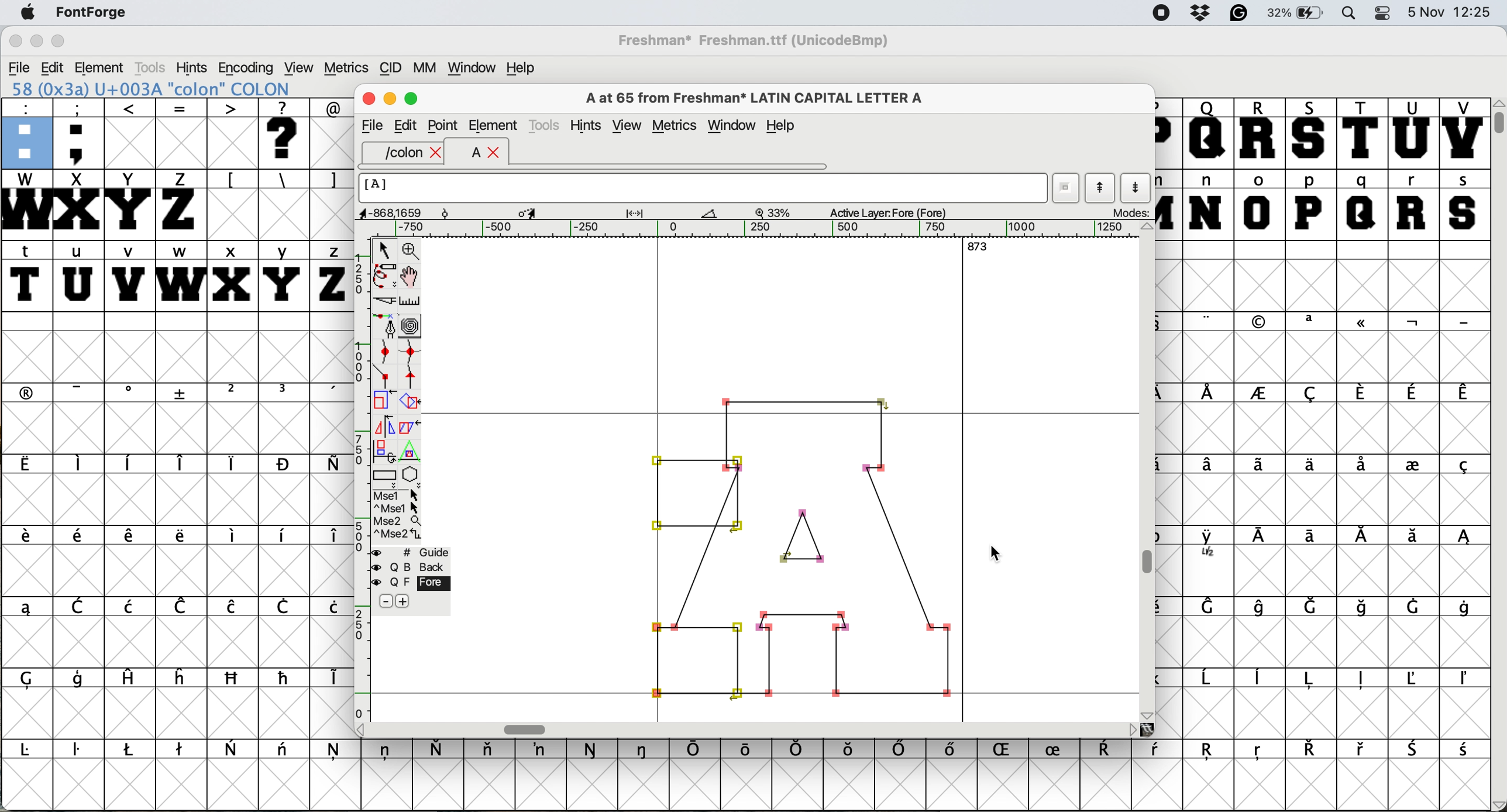 The image size is (1507, 812). Describe the element at coordinates (129, 276) in the screenshot. I see `v` at that location.